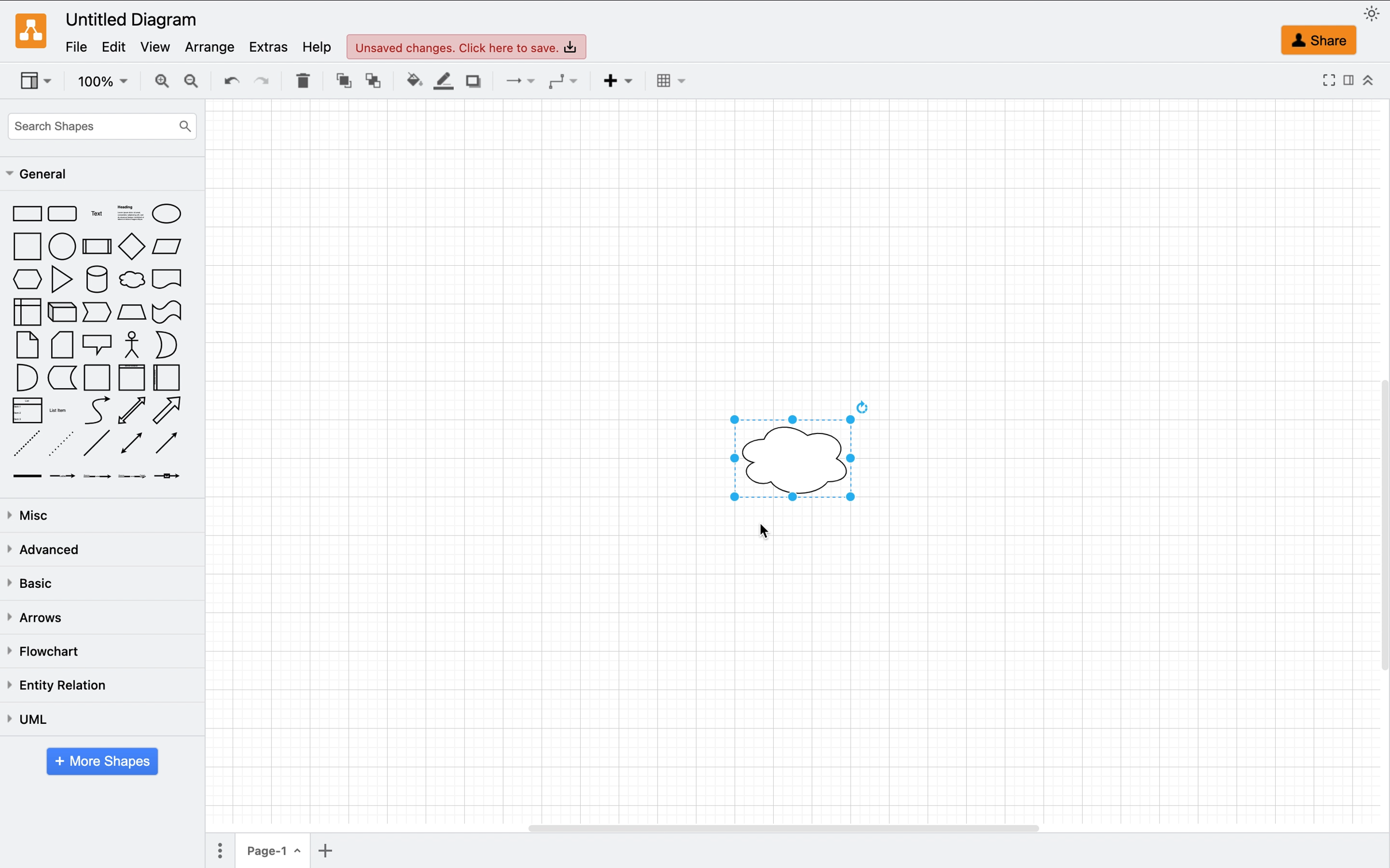  Describe the element at coordinates (794, 459) in the screenshot. I see `cloud shape added` at that location.